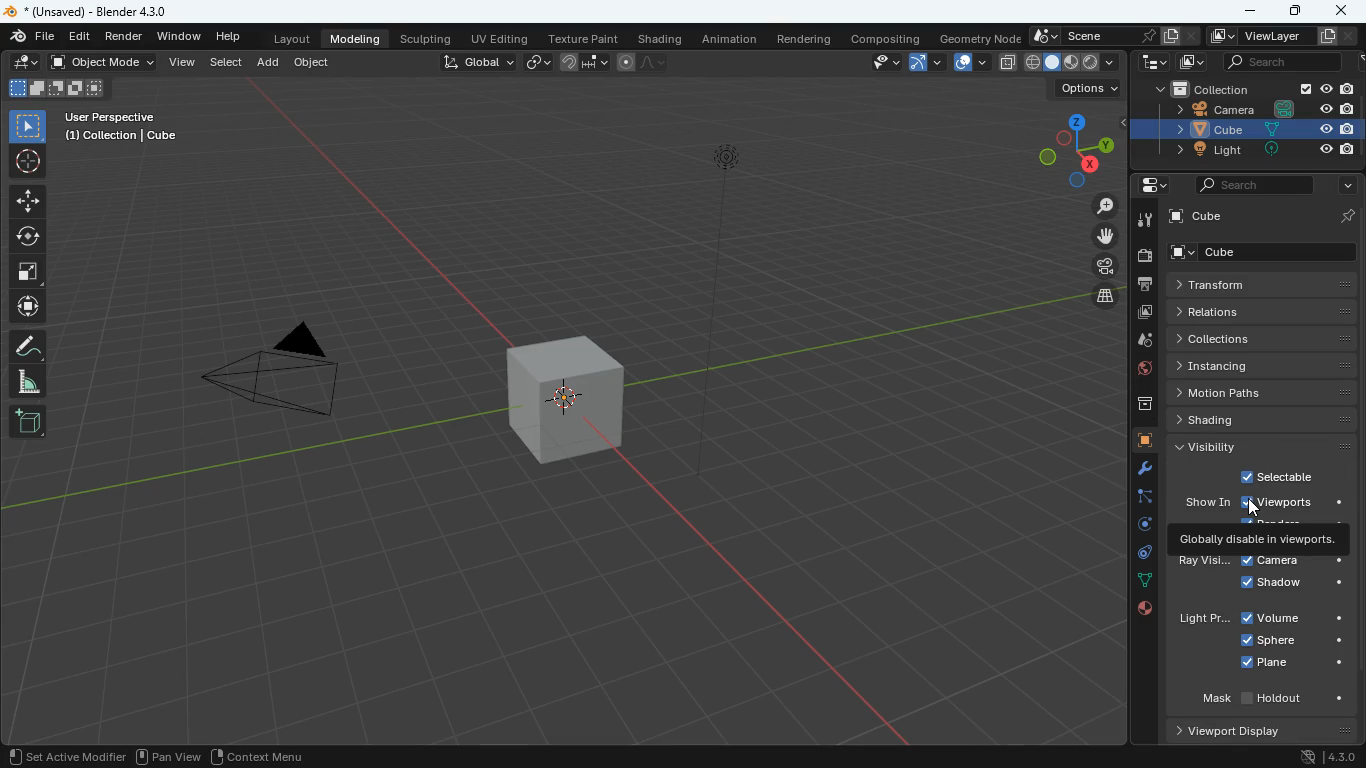  I want to click on draw, so click(26, 64).